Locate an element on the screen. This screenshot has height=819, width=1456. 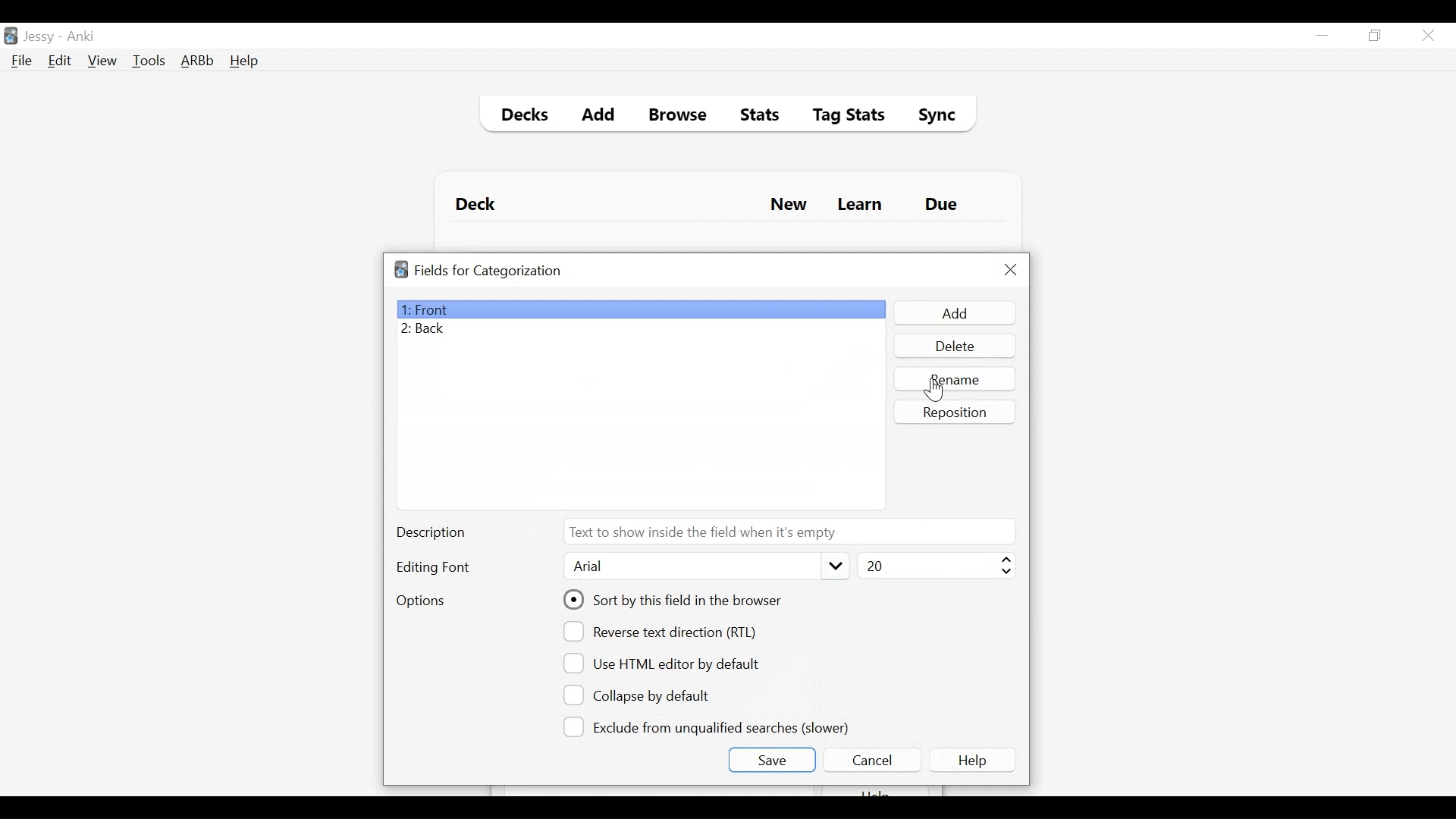
Advanced Review Button bar is located at coordinates (198, 61).